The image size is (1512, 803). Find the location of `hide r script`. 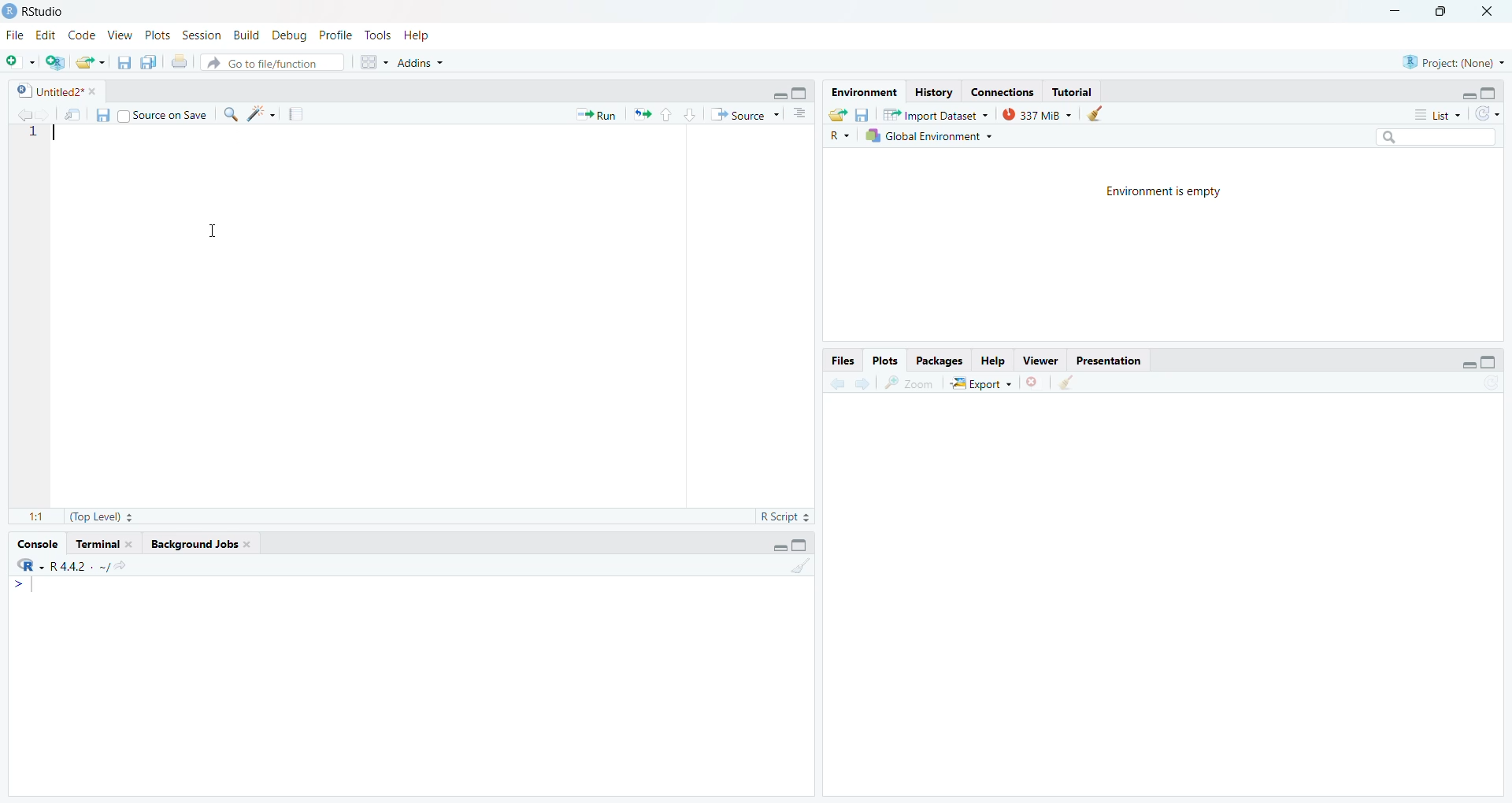

hide r script is located at coordinates (776, 96).